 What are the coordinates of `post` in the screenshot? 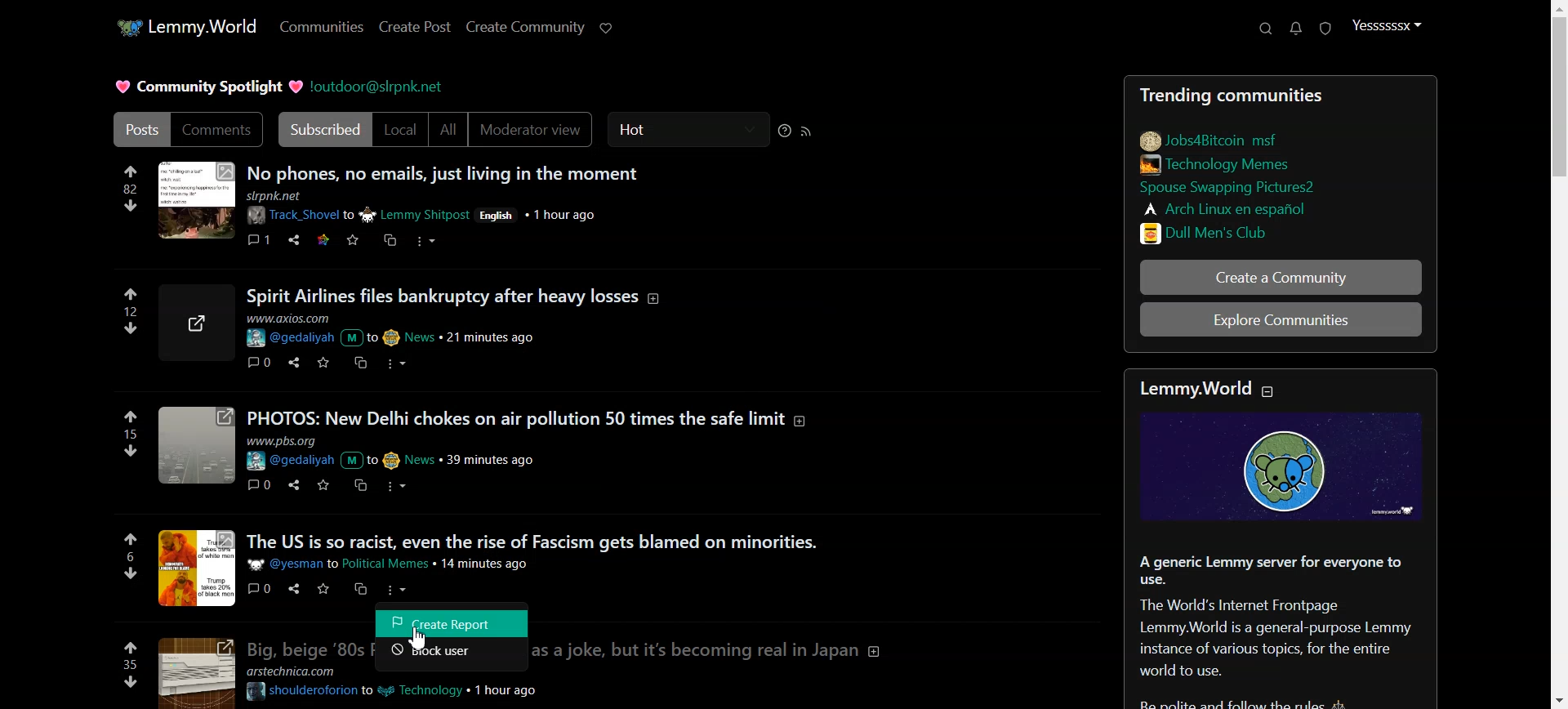 It's located at (532, 541).